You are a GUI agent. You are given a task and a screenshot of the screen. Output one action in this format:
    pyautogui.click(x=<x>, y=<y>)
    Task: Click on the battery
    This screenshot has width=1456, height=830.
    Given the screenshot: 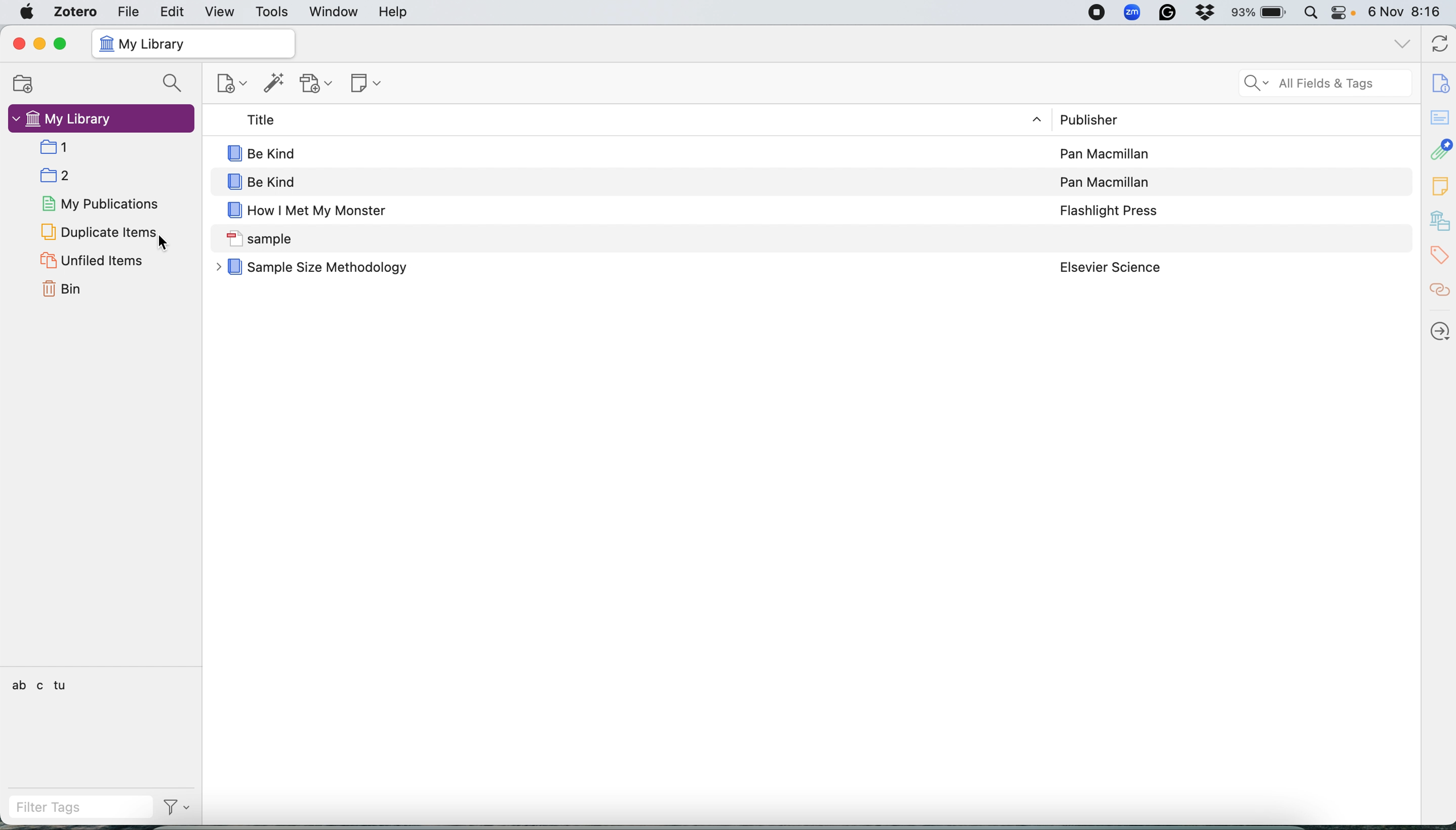 What is the action you would take?
    pyautogui.click(x=1262, y=13)
    